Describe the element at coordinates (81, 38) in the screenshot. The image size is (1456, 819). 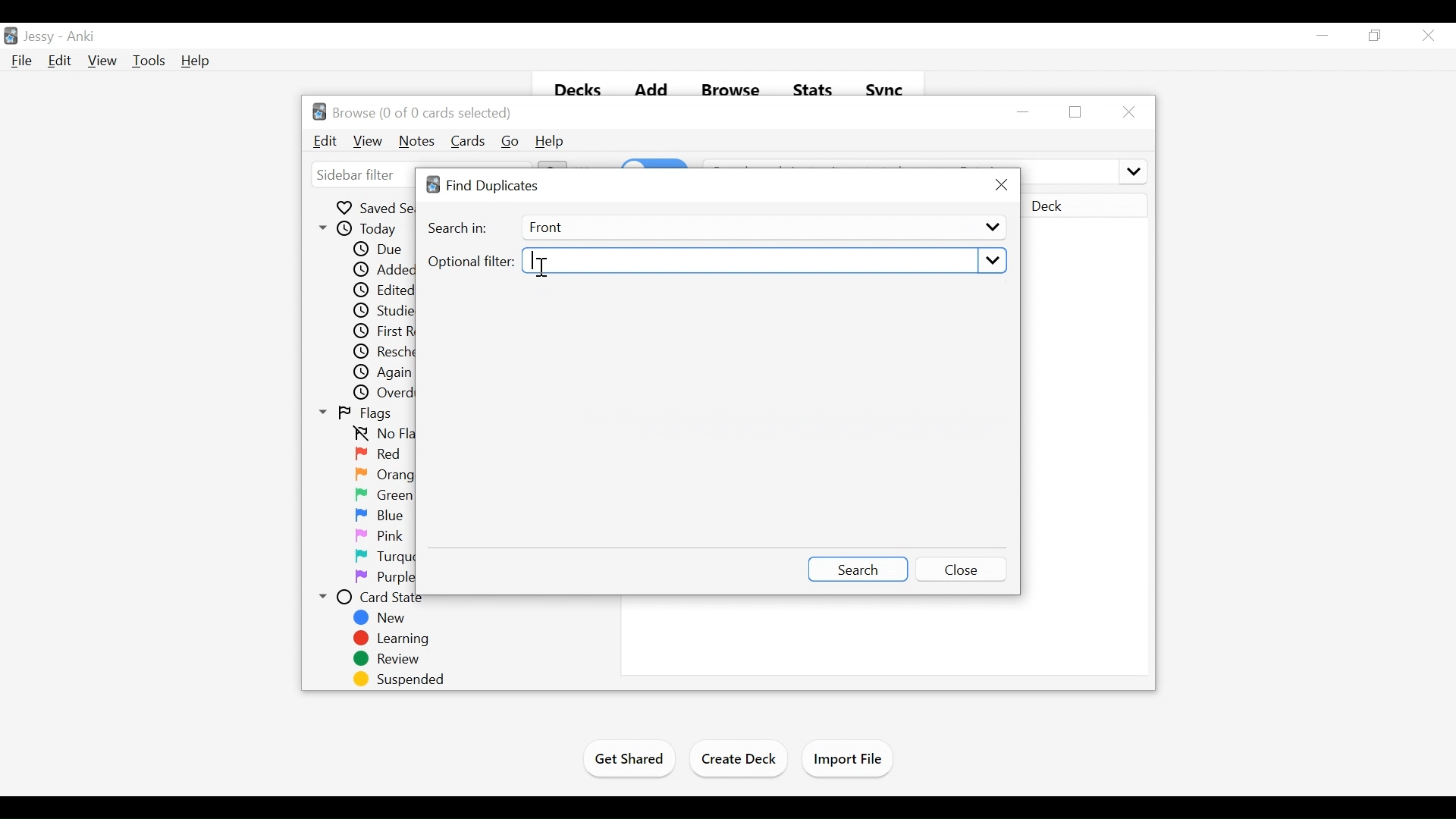
I see `Anki` at that location.